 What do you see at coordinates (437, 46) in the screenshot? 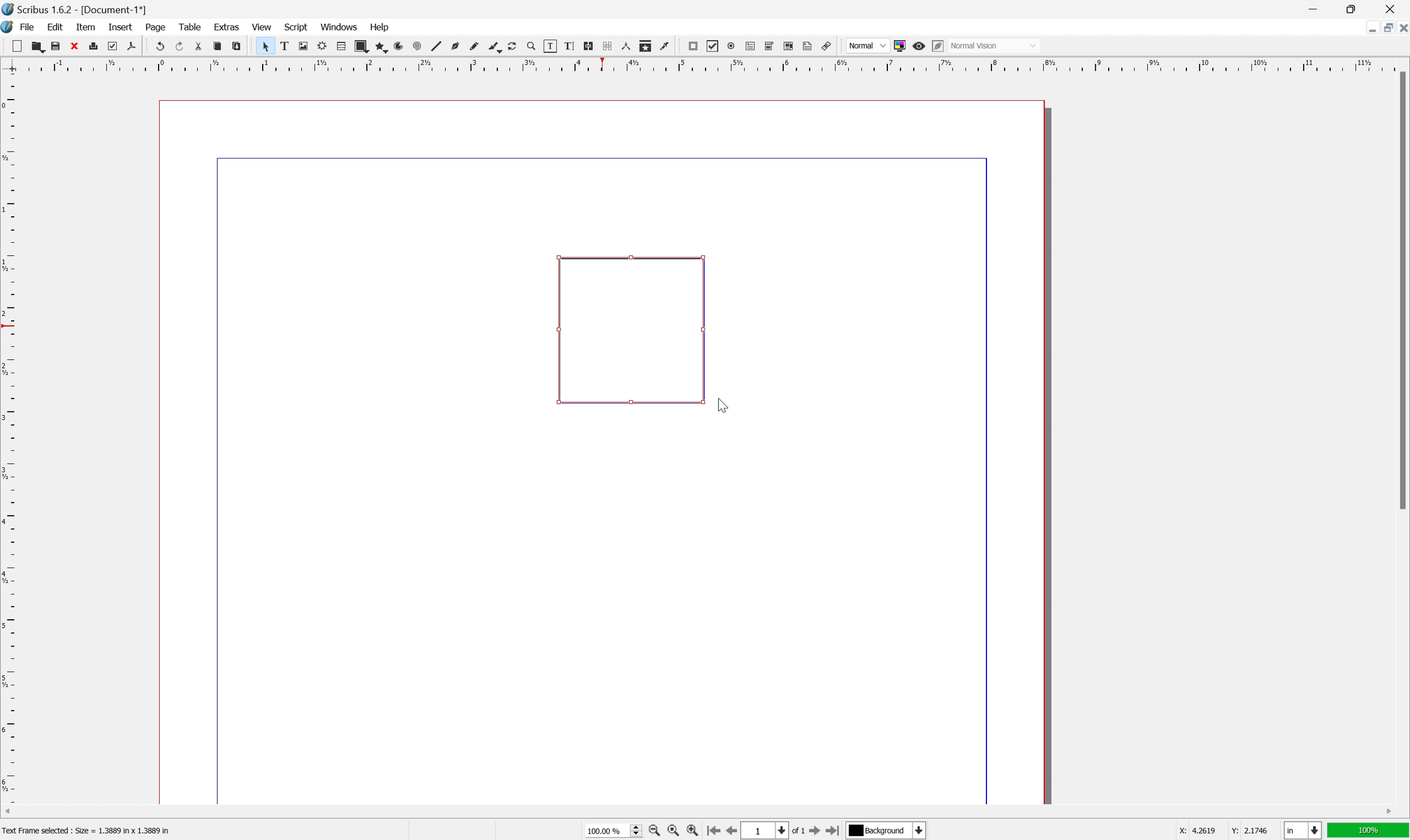
I see `line` at bounding box center [437, 46].